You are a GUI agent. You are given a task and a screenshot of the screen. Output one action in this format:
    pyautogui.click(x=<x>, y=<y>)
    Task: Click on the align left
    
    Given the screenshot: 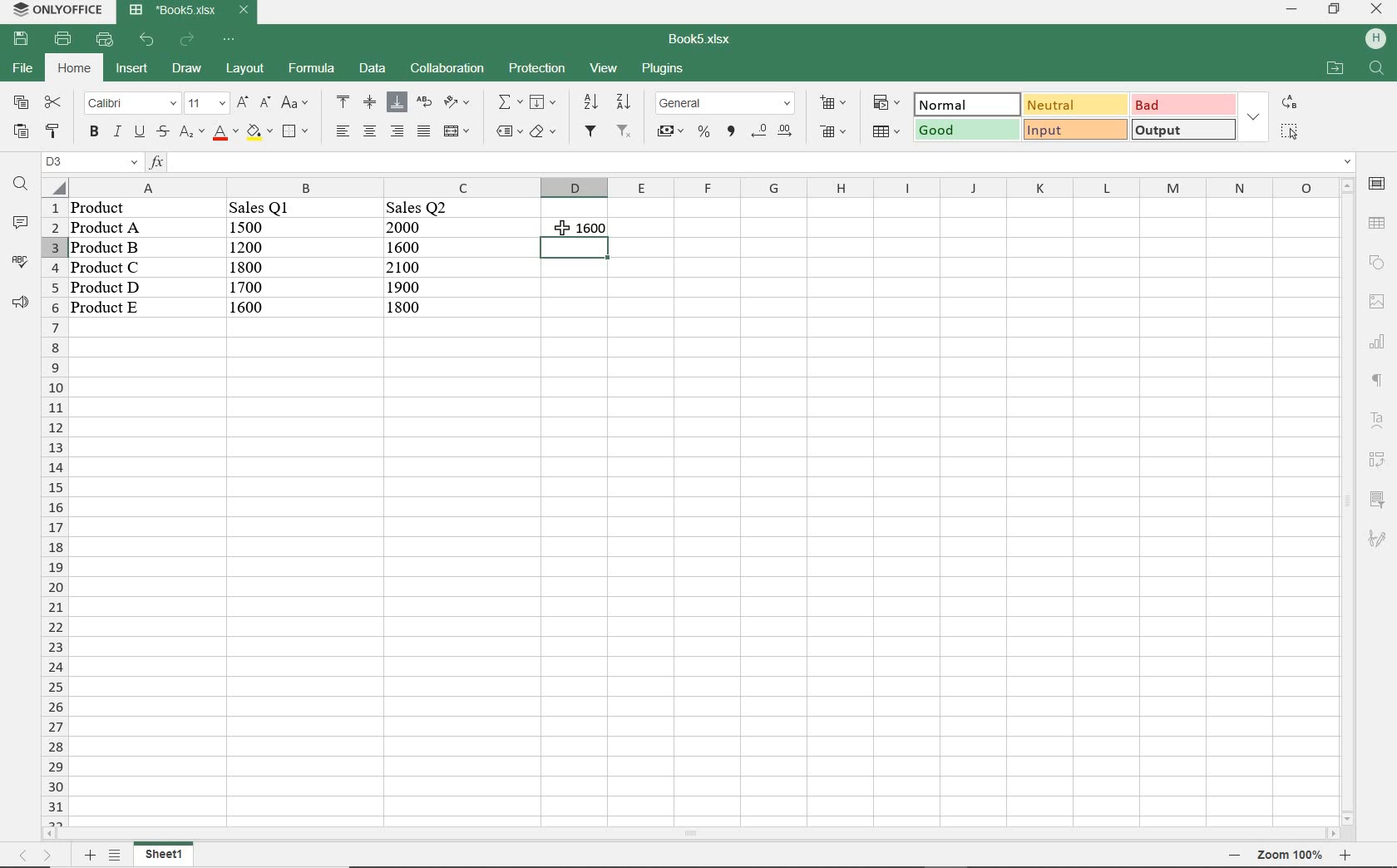 What is the action you would take?
    pyautogui.click(x=397, y=131)
    